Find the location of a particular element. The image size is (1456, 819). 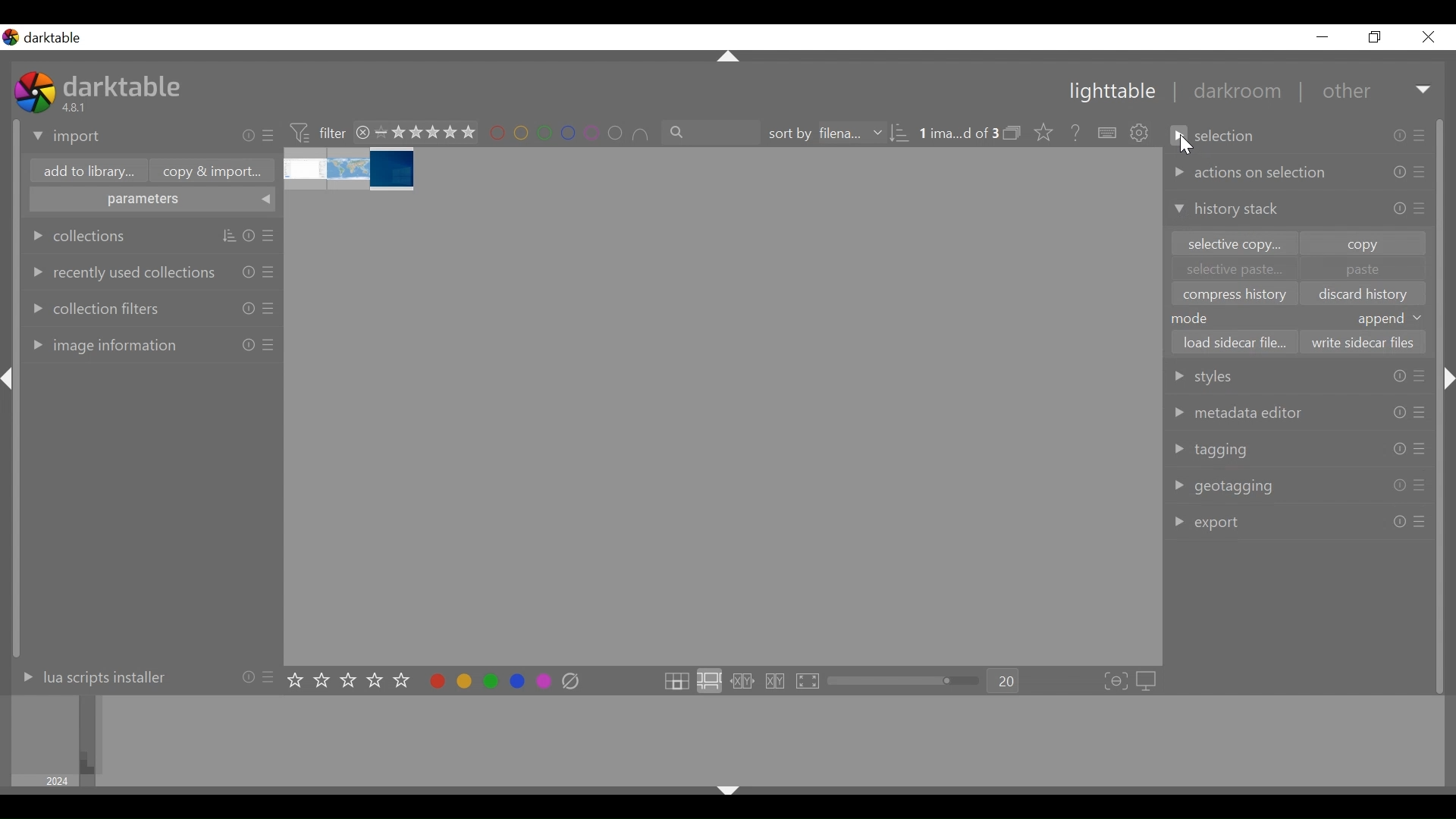

filter is located at coordinates (317, 131).